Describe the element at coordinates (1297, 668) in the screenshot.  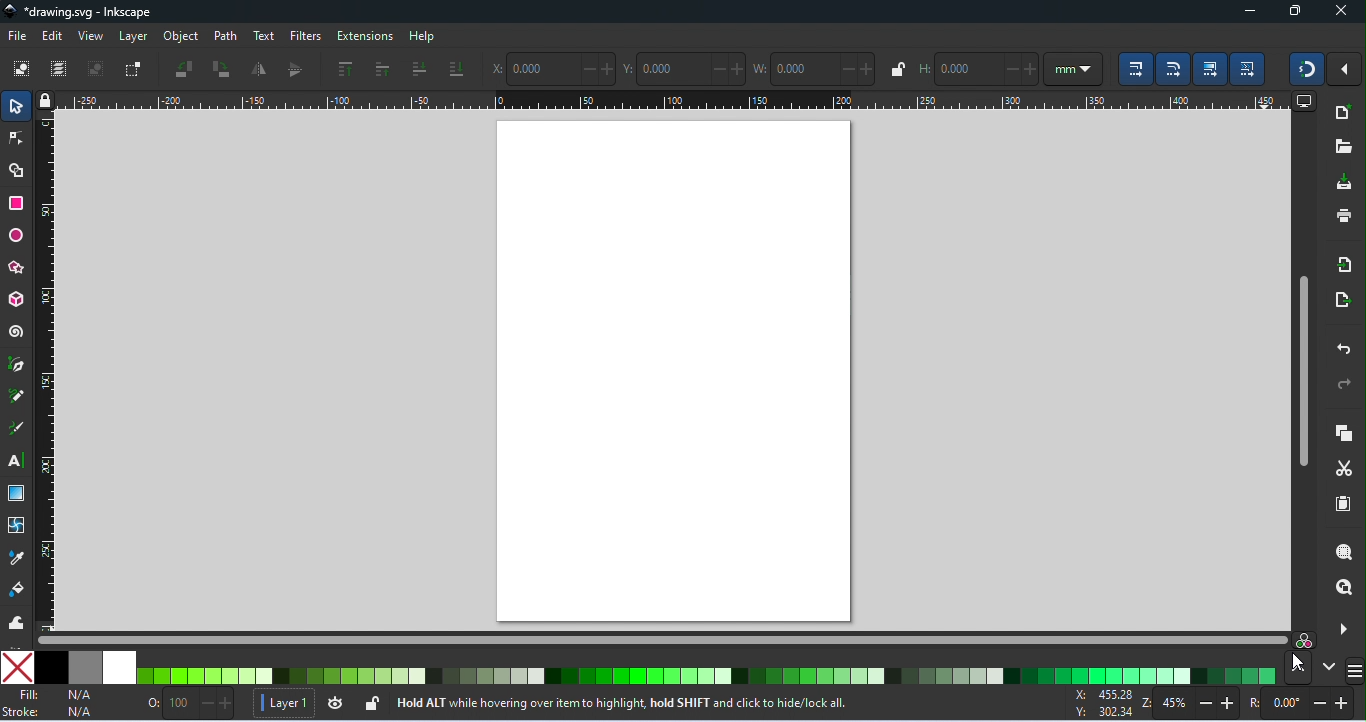
I see `previous color shade` at that location.